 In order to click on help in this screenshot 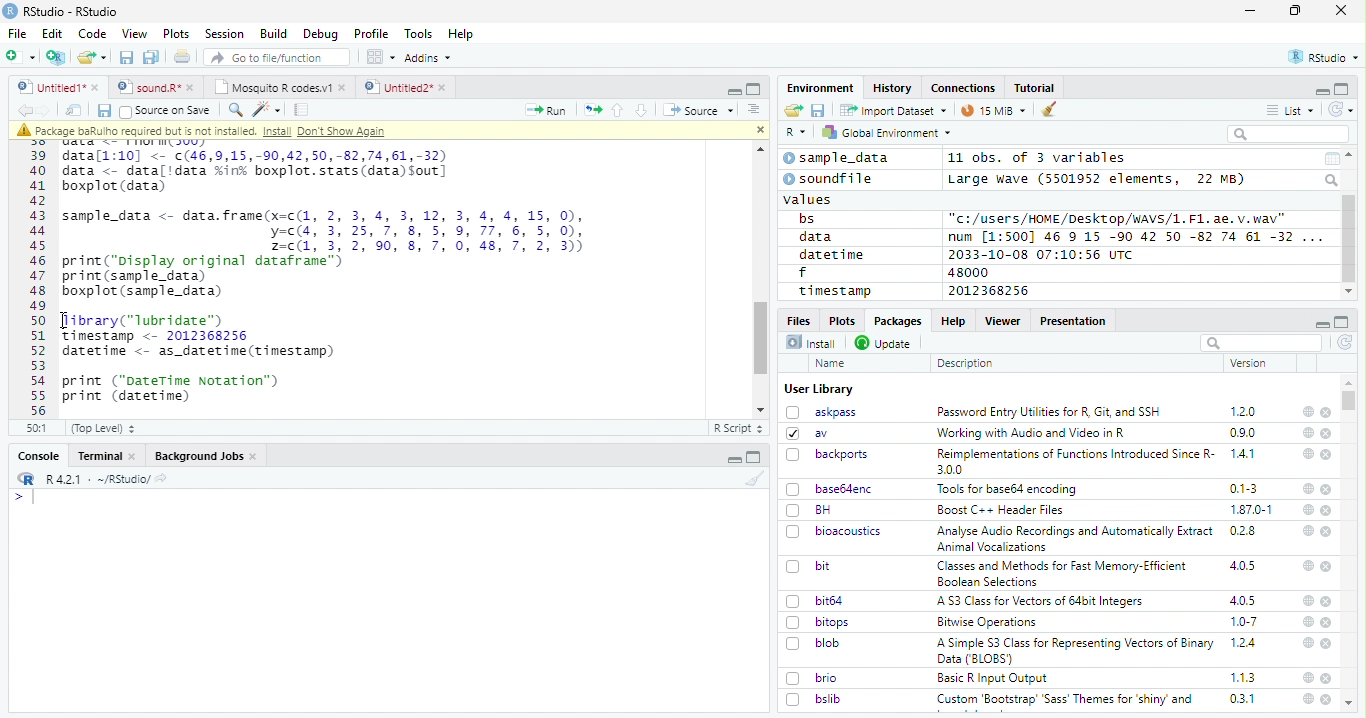, I will do `click(1308, 489)`.